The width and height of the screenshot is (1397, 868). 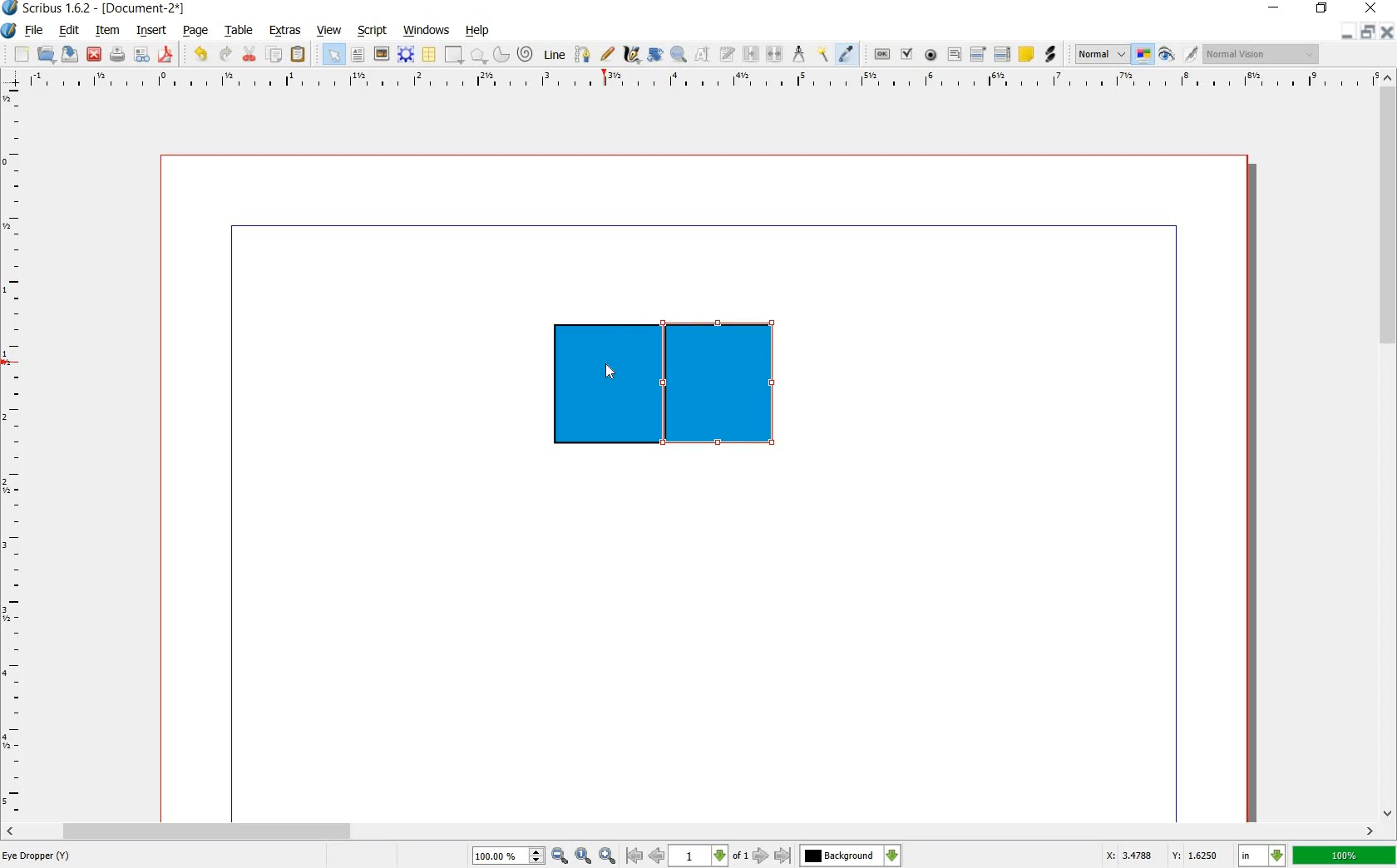 I want to click on unlink text frames, so click(x=776, y=52).